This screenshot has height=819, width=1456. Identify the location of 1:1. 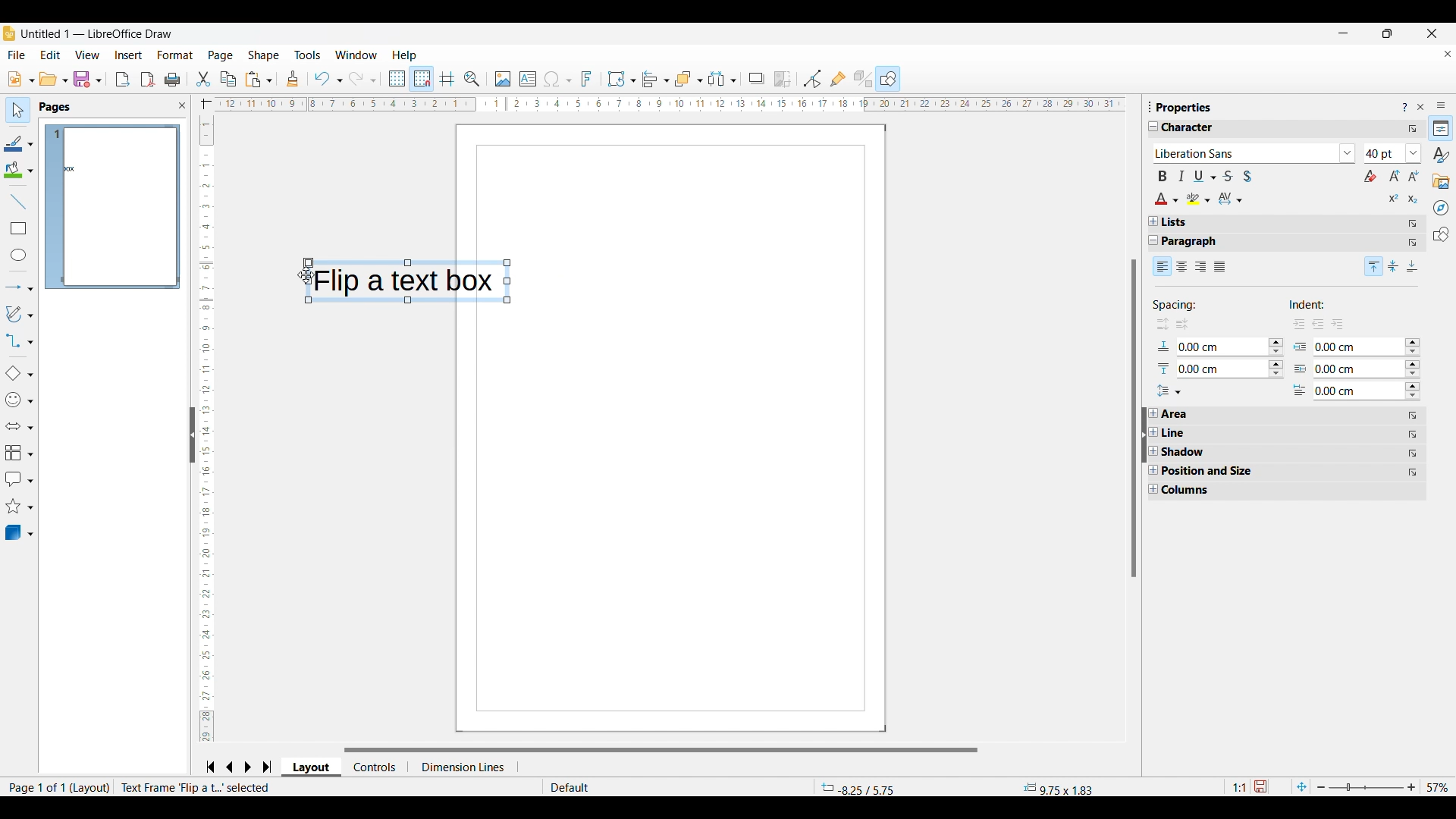
(1238, 787).